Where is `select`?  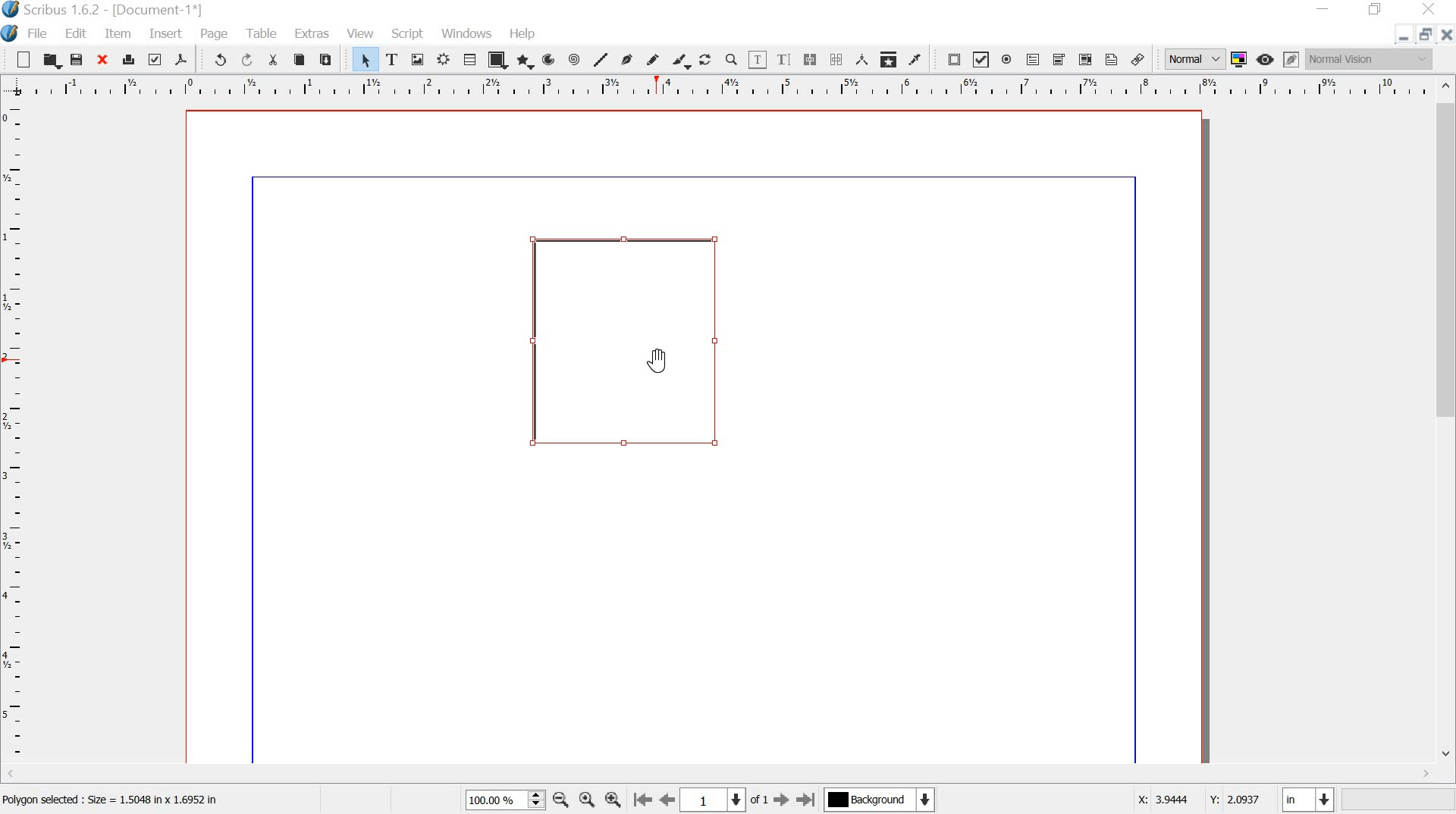
select is located at coordinates (359, 59).